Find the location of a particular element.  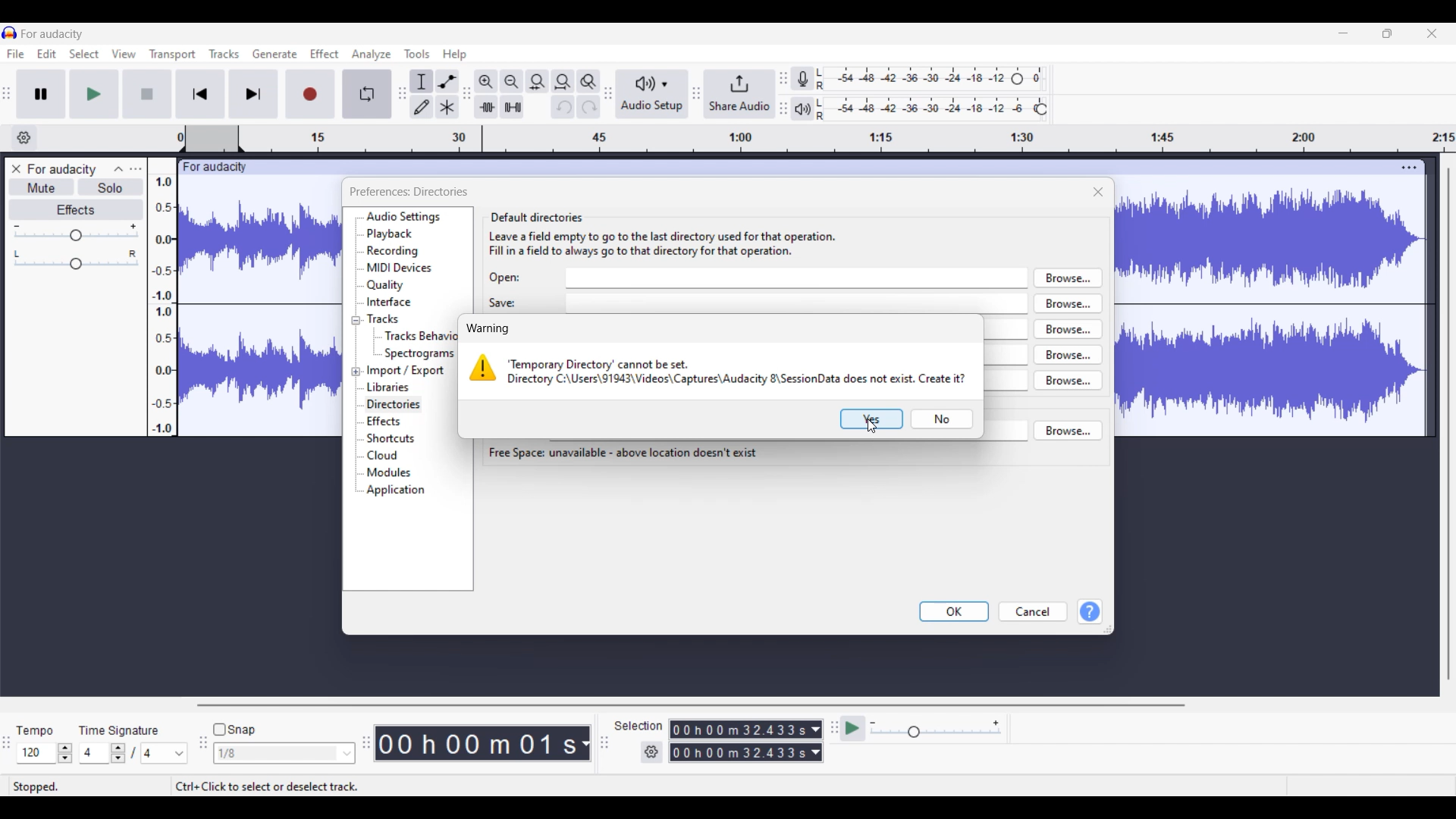

Quality is located at coordinates (386, 285).